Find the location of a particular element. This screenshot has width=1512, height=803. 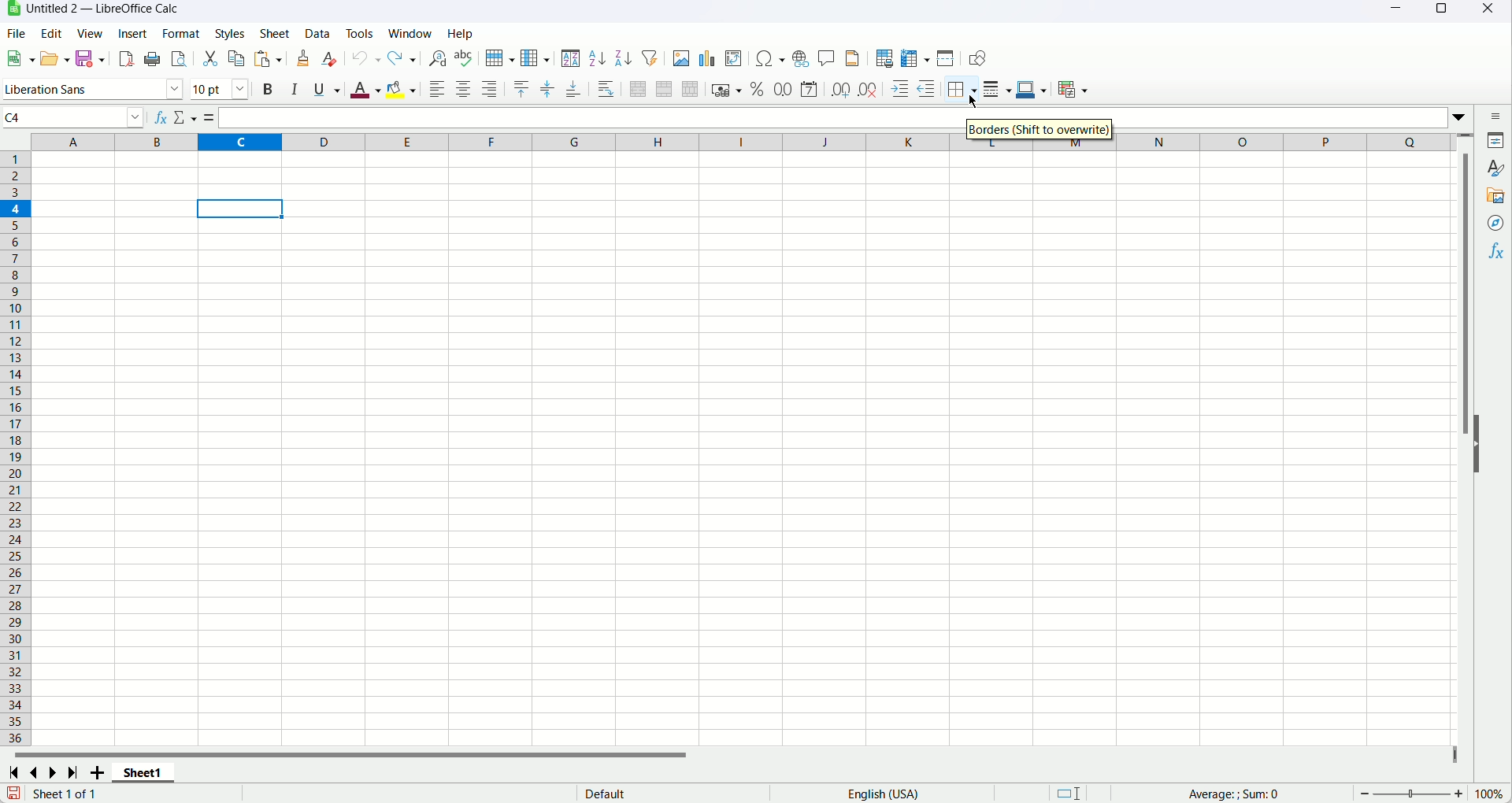

Format as number is located at coordinates (783, 88).